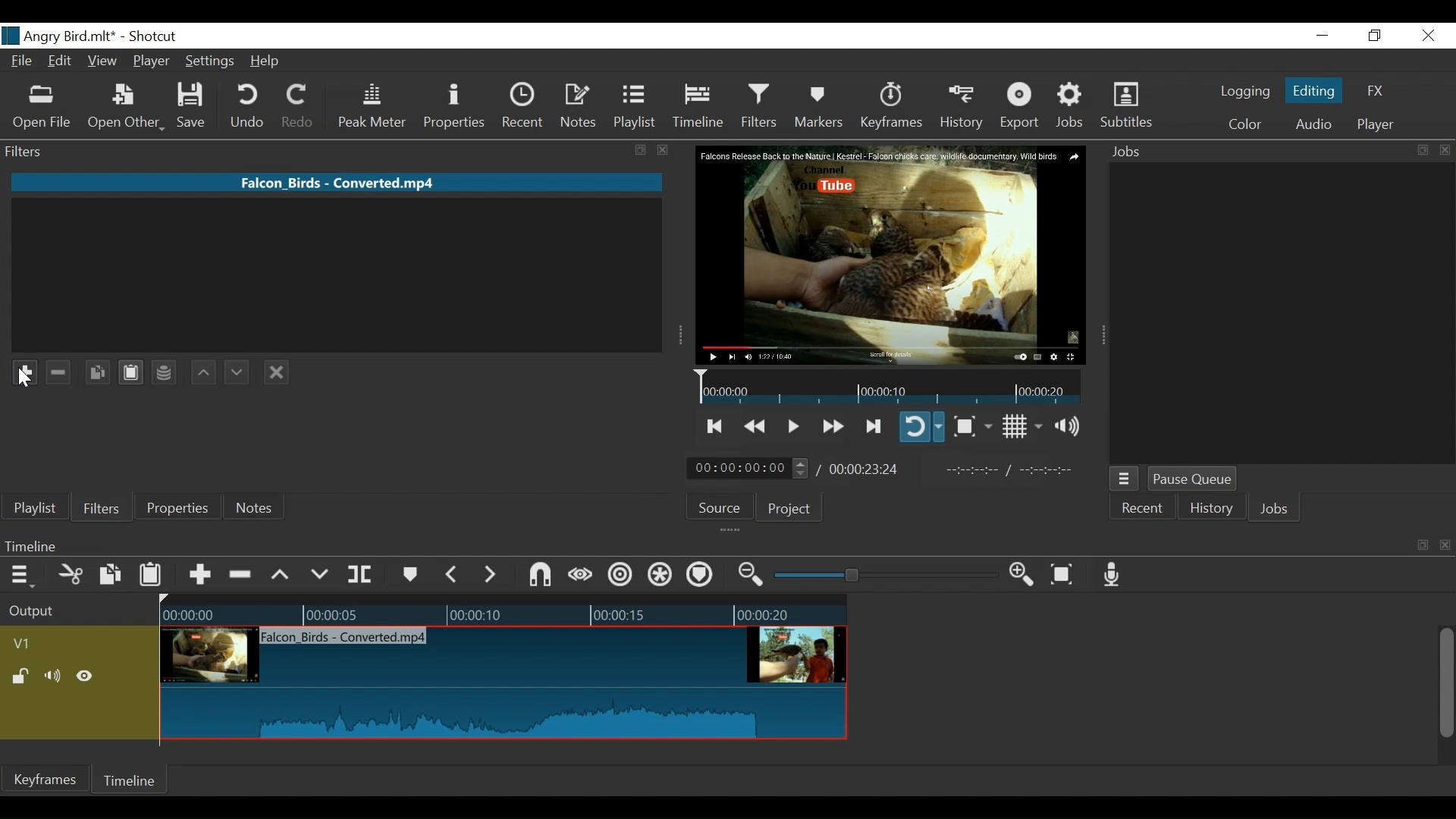 Image resolution: width=1456 pixels, height=819 pixels. What do you see at coordinates (753, 575) in the screenshot?
I see `Zoom timeline out` at bounding box center [753, 575].